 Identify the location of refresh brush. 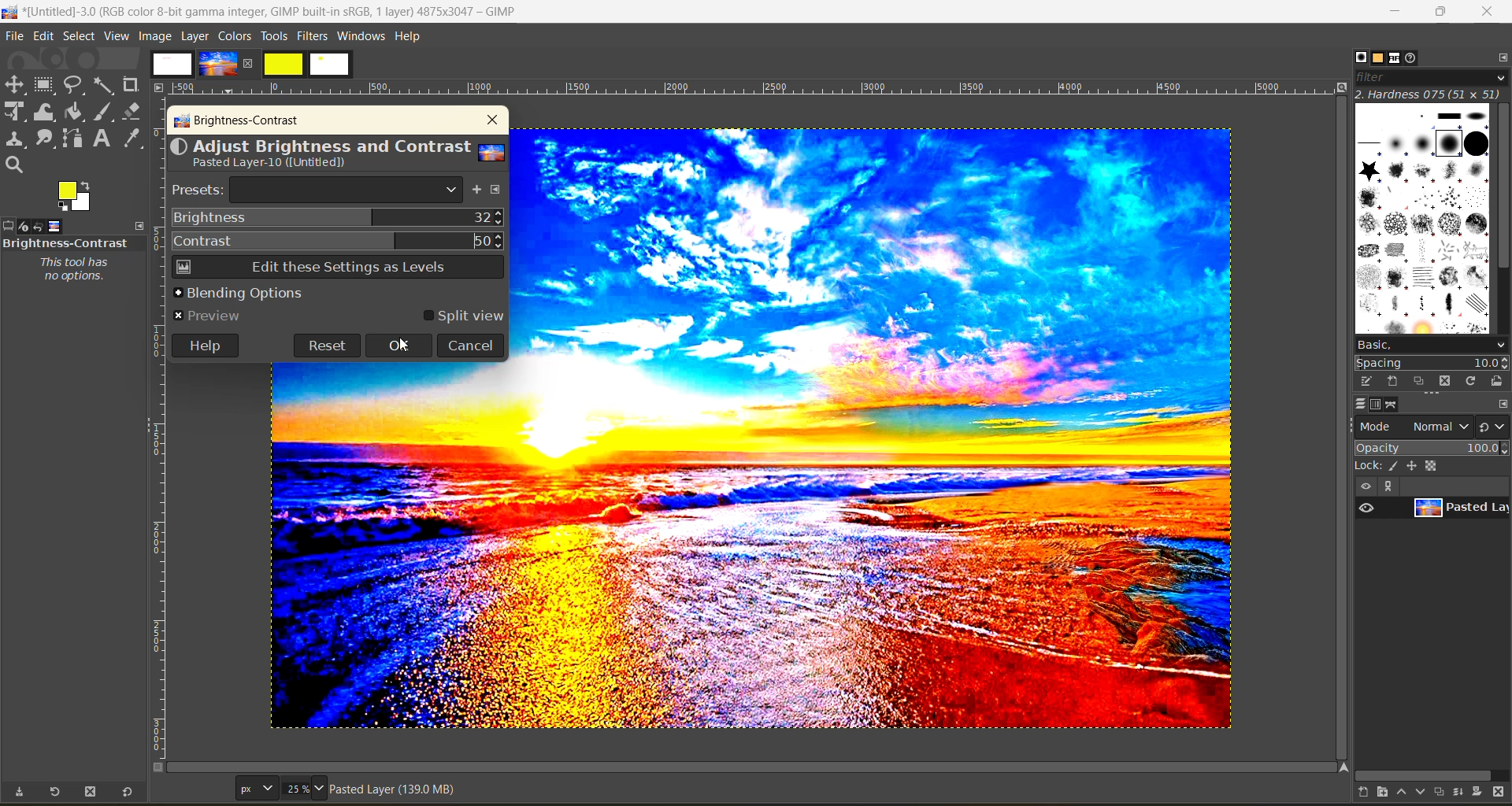
(1474, 384).